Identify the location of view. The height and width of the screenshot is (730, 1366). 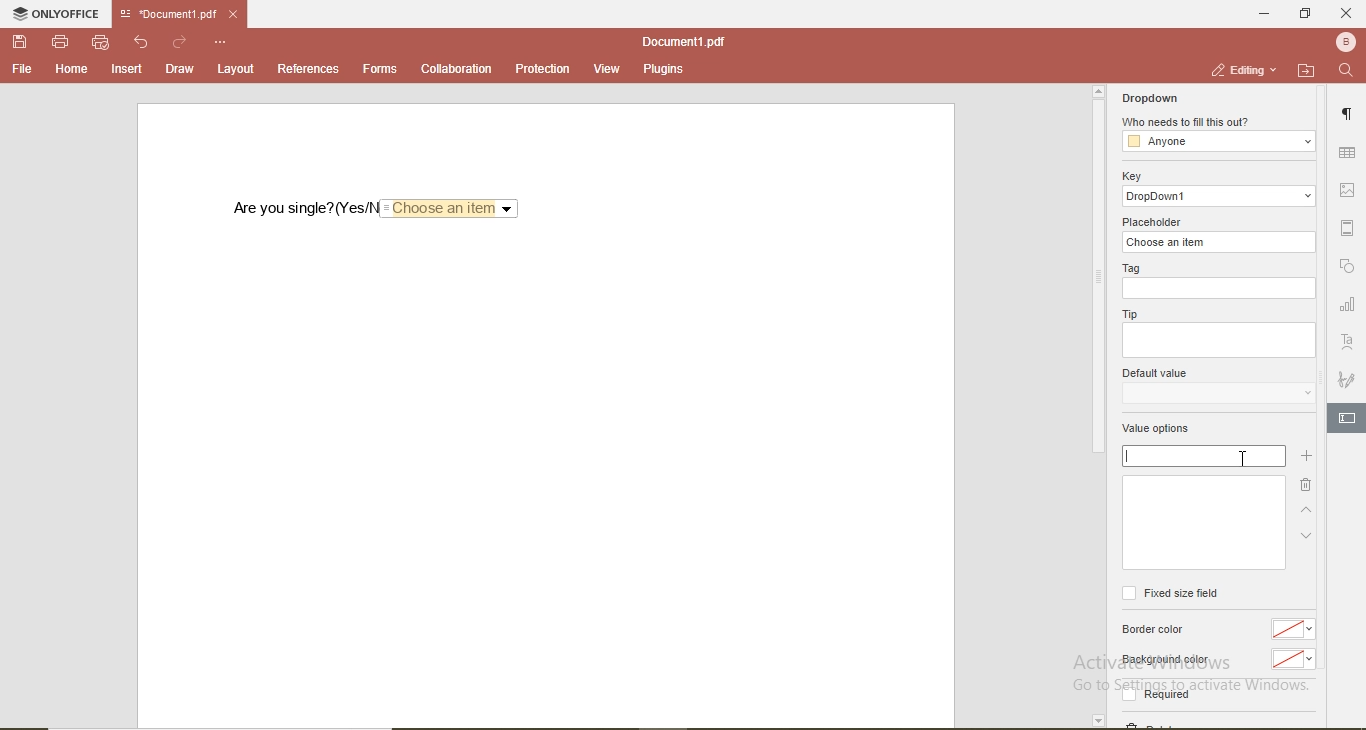
(607, 69).